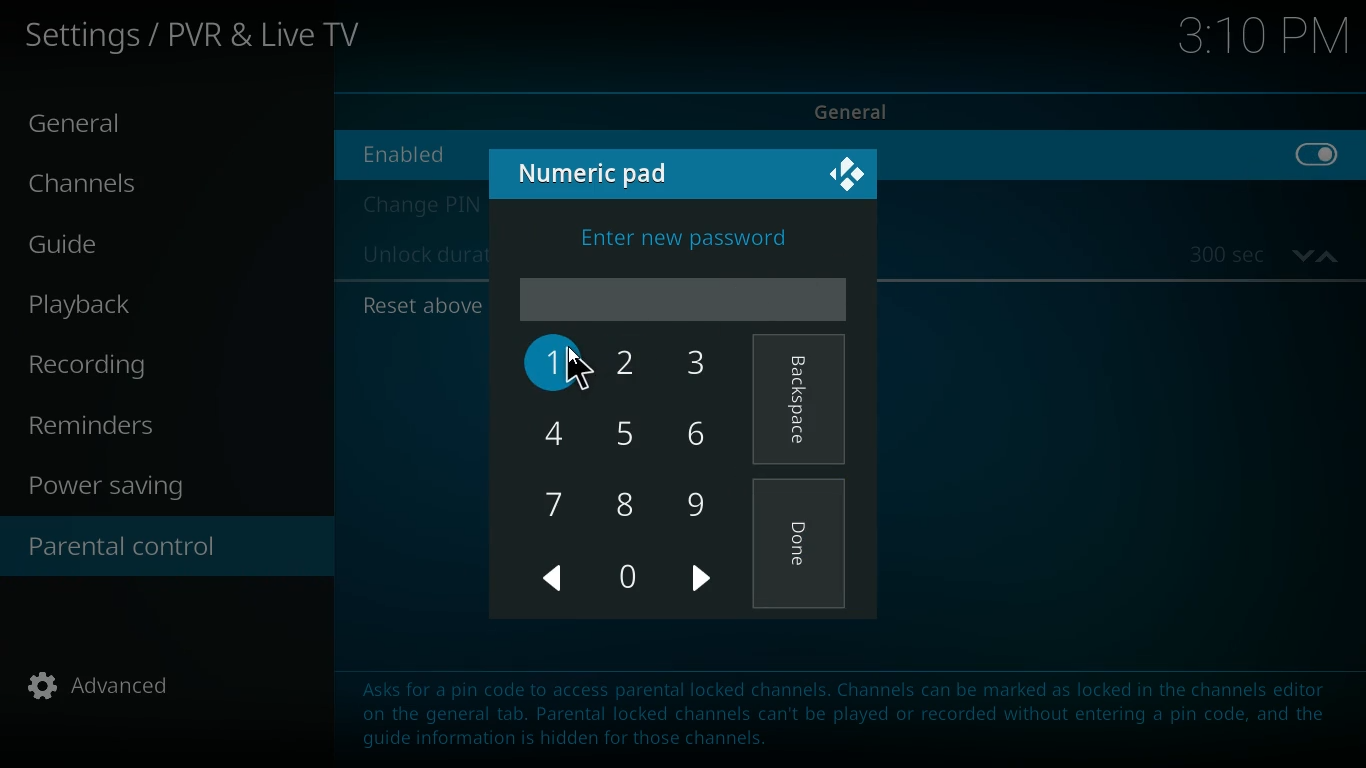 The width and height of the screenshot is (1366, 768). Describe the element at coordinates (114, 692) in the screenshot. I see `advanced` at that location.